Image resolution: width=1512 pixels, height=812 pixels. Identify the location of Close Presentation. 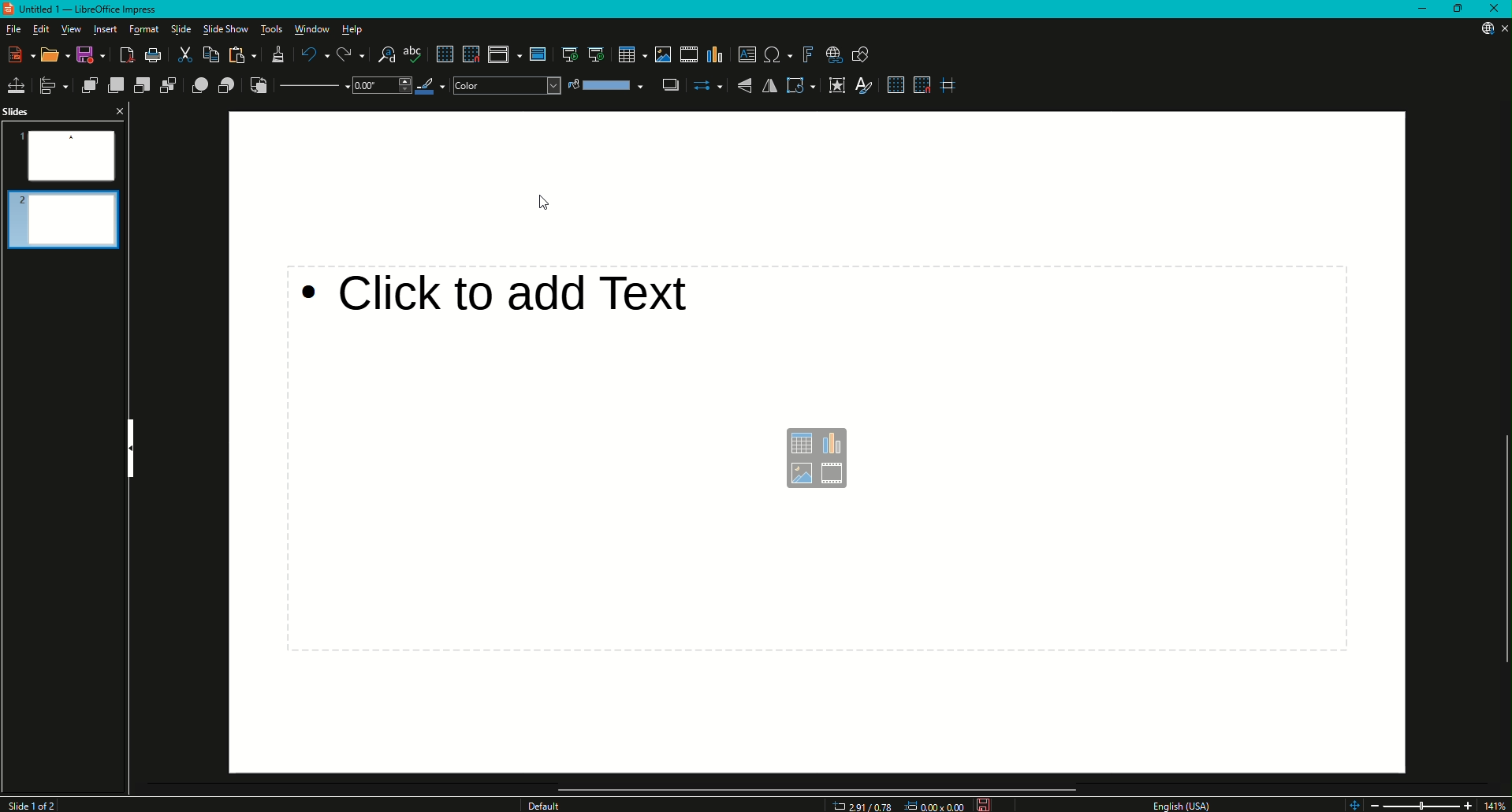
(1501, 28).